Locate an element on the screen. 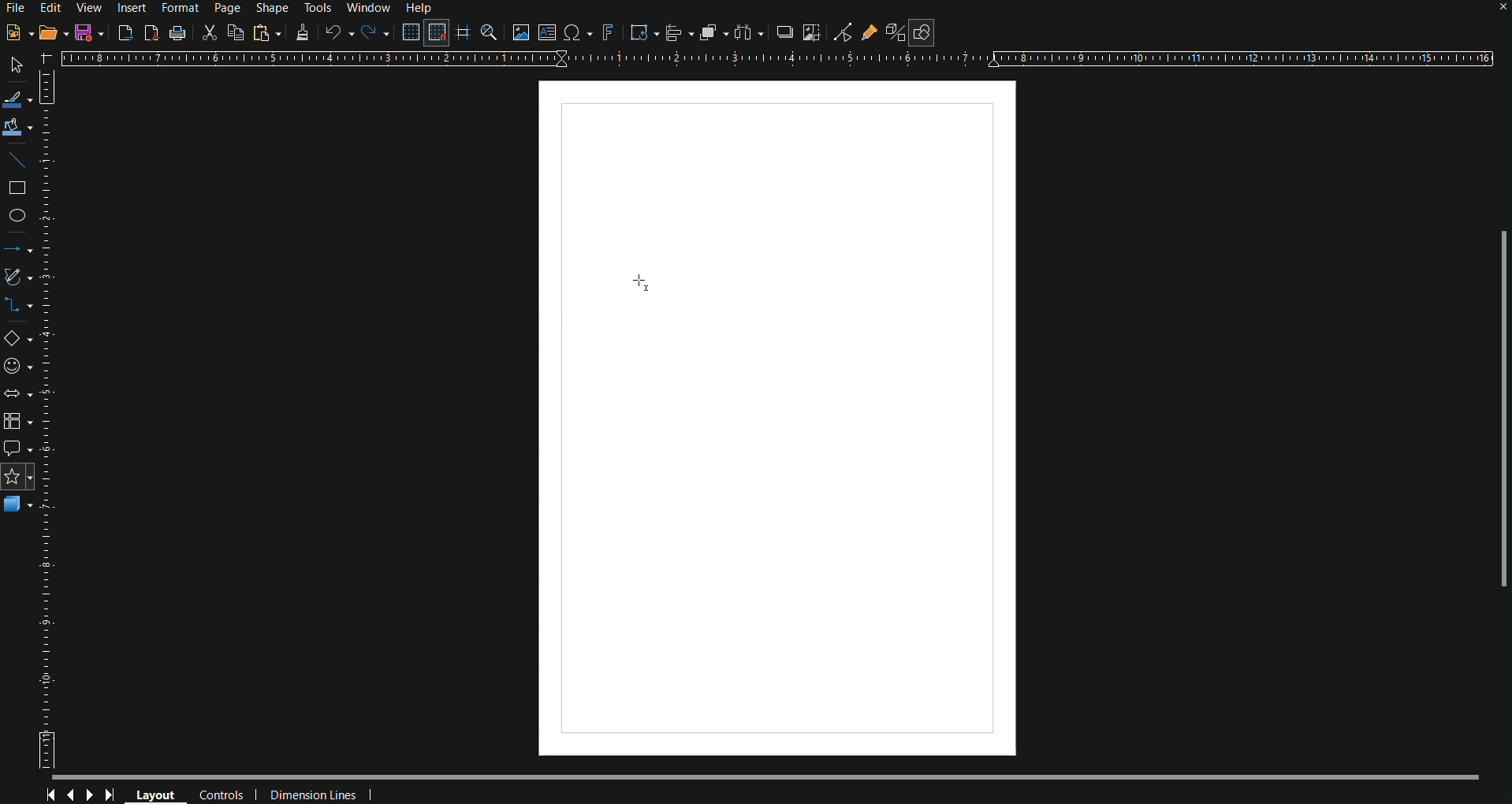  Controls is located at coordinates (221, 793).